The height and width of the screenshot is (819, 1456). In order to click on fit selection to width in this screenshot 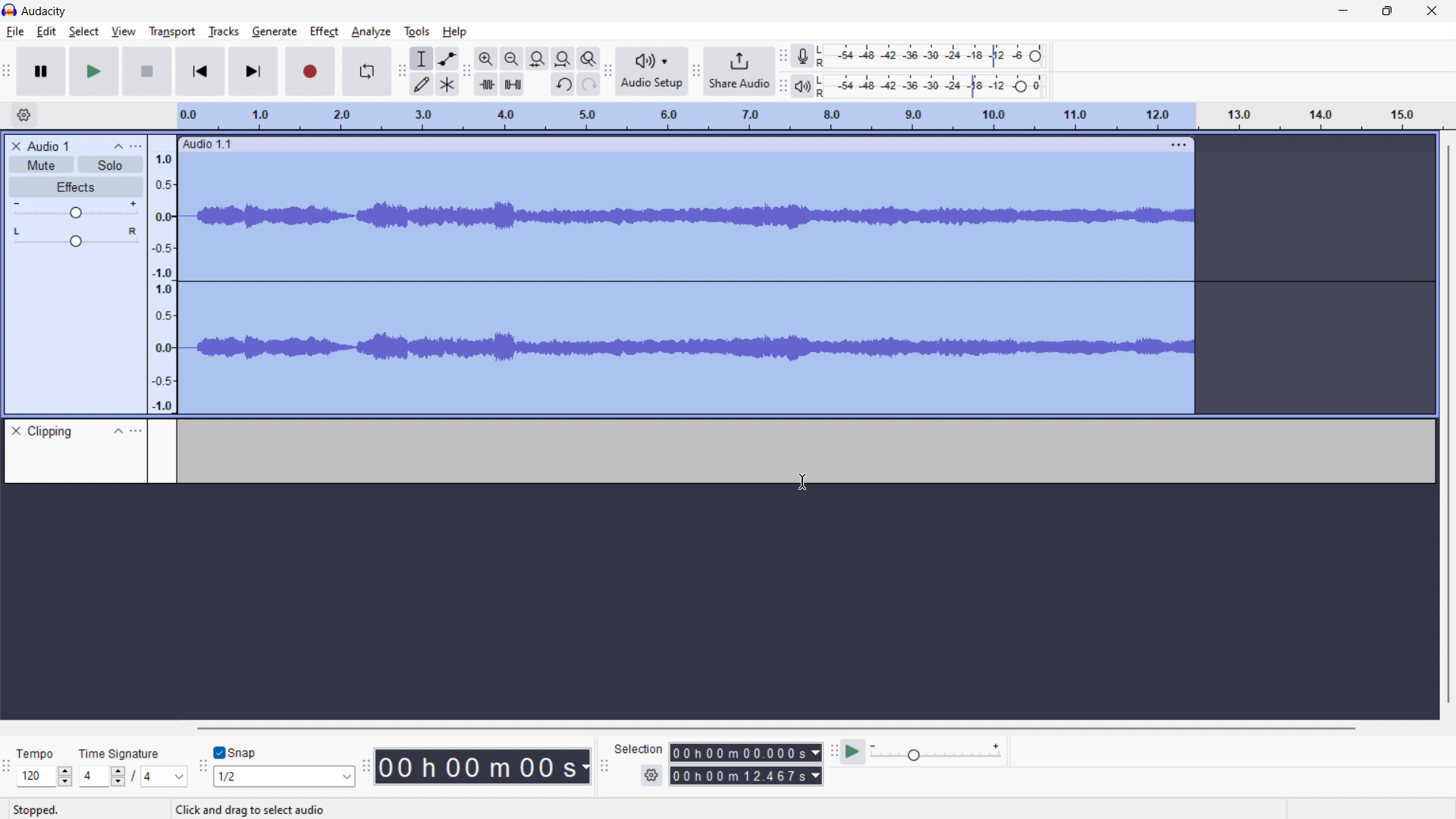, I will do `click(538, 58)`.